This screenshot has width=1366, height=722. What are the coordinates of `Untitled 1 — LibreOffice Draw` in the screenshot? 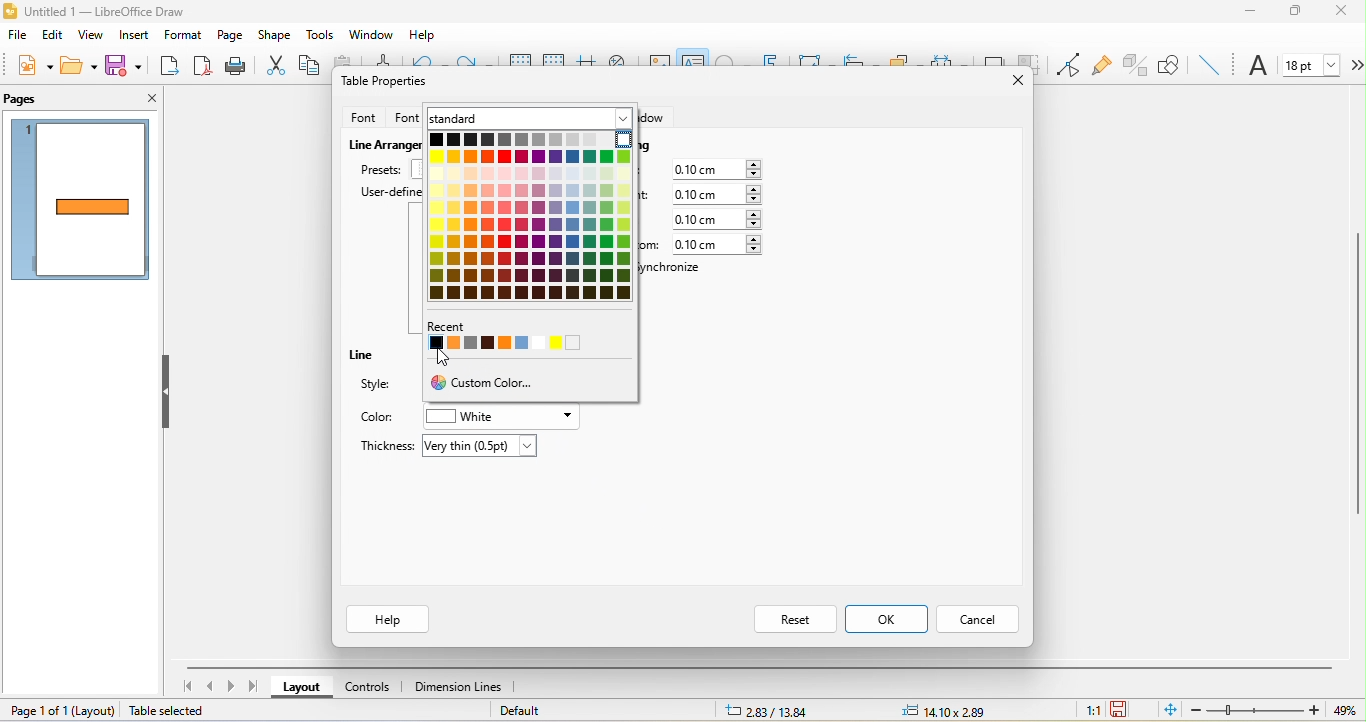 It's located at (93, 9).